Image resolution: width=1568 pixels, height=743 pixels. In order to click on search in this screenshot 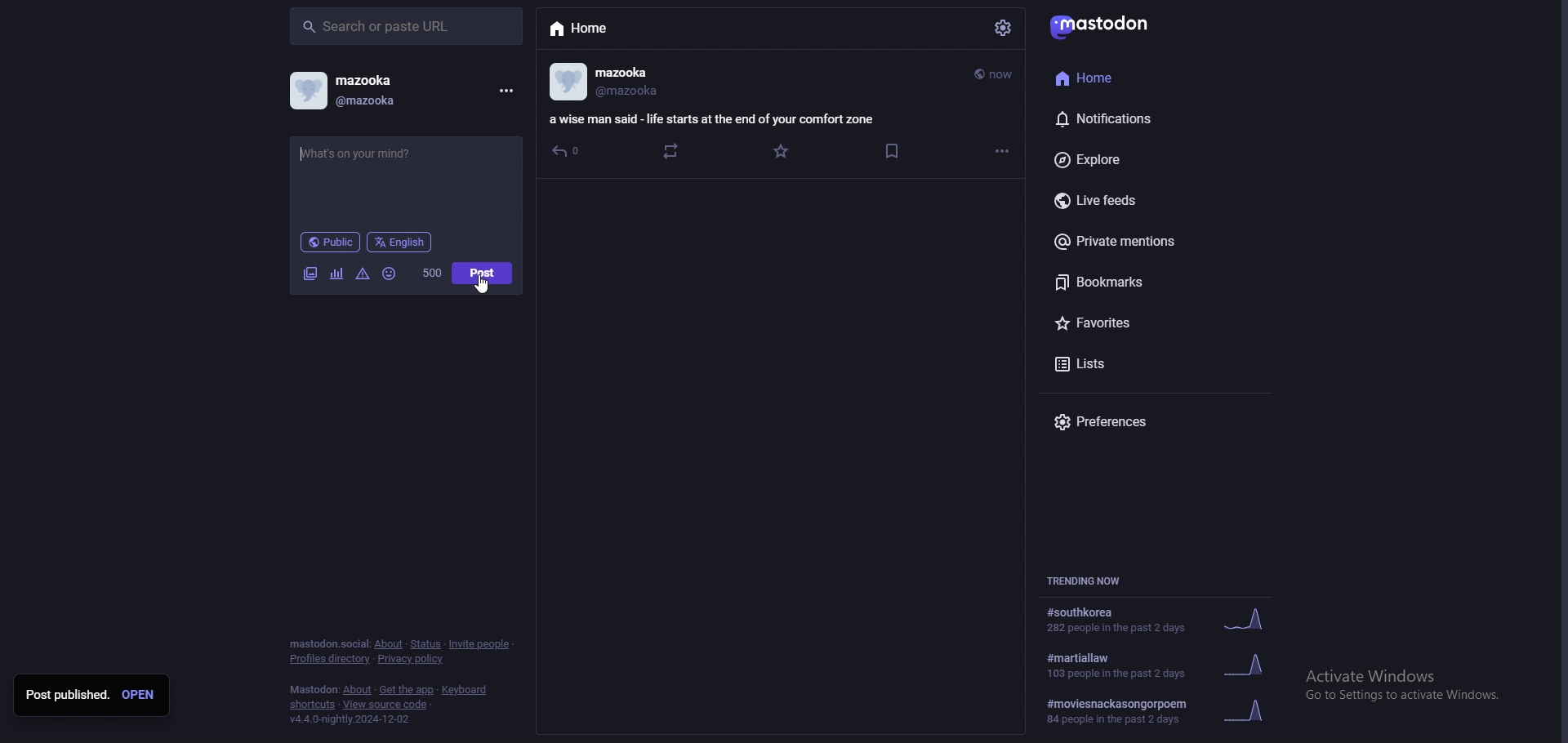, I will do `click(407, 26)`.